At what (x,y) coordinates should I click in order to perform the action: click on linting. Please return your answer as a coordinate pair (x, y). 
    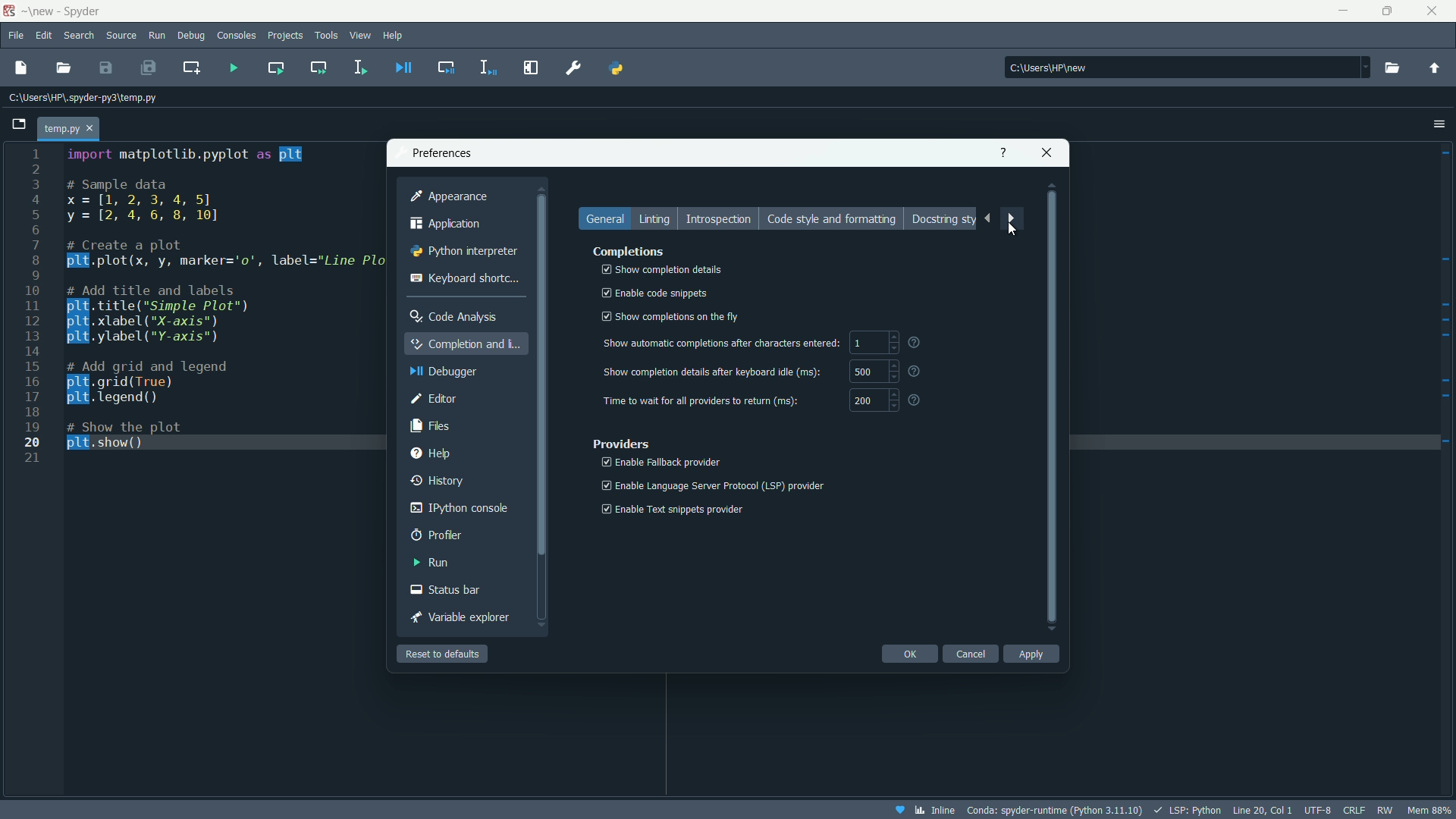
    Looking at the image, I should click on (657, 221).